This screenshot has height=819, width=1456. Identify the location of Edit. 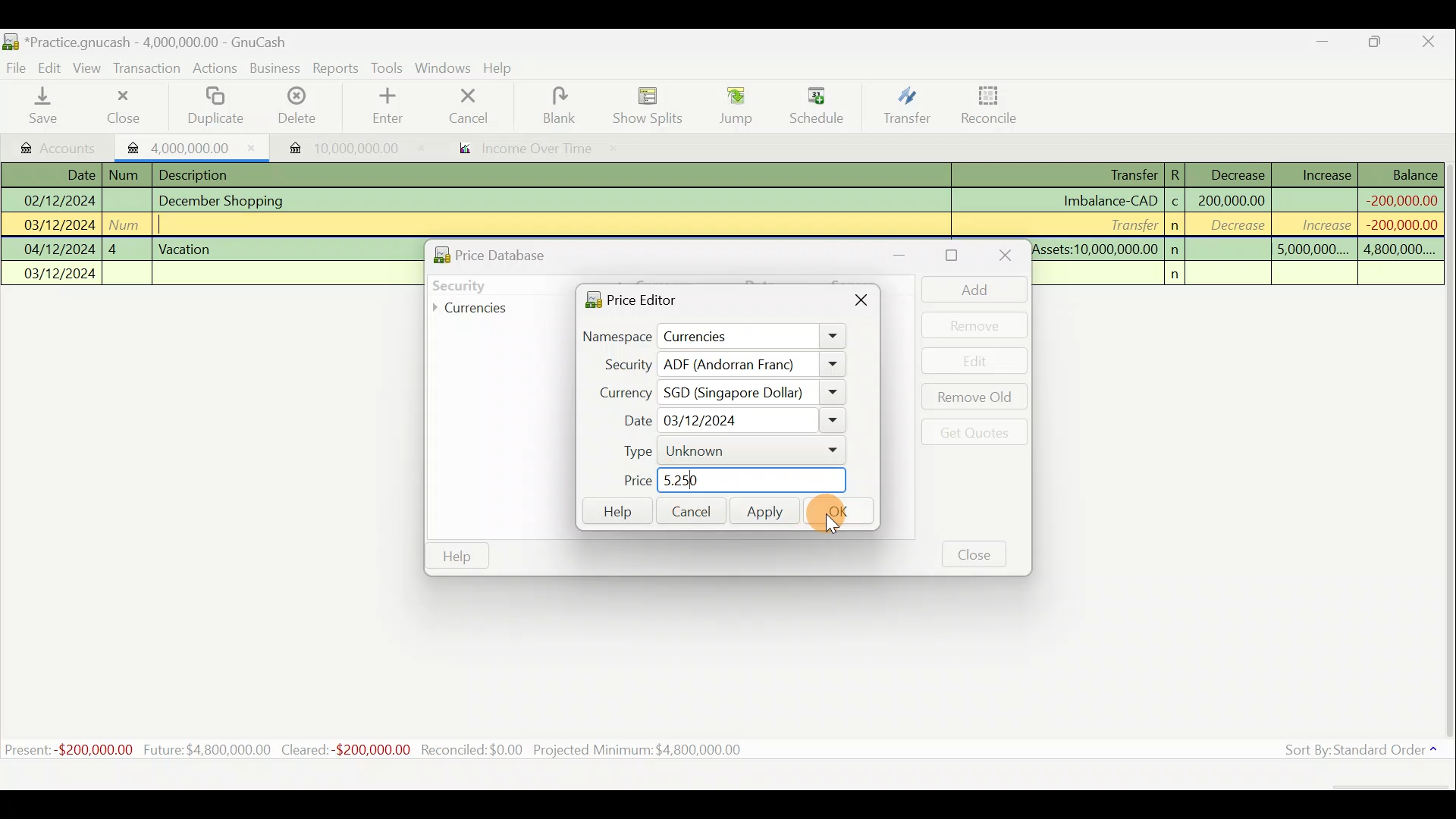
(52, 67).